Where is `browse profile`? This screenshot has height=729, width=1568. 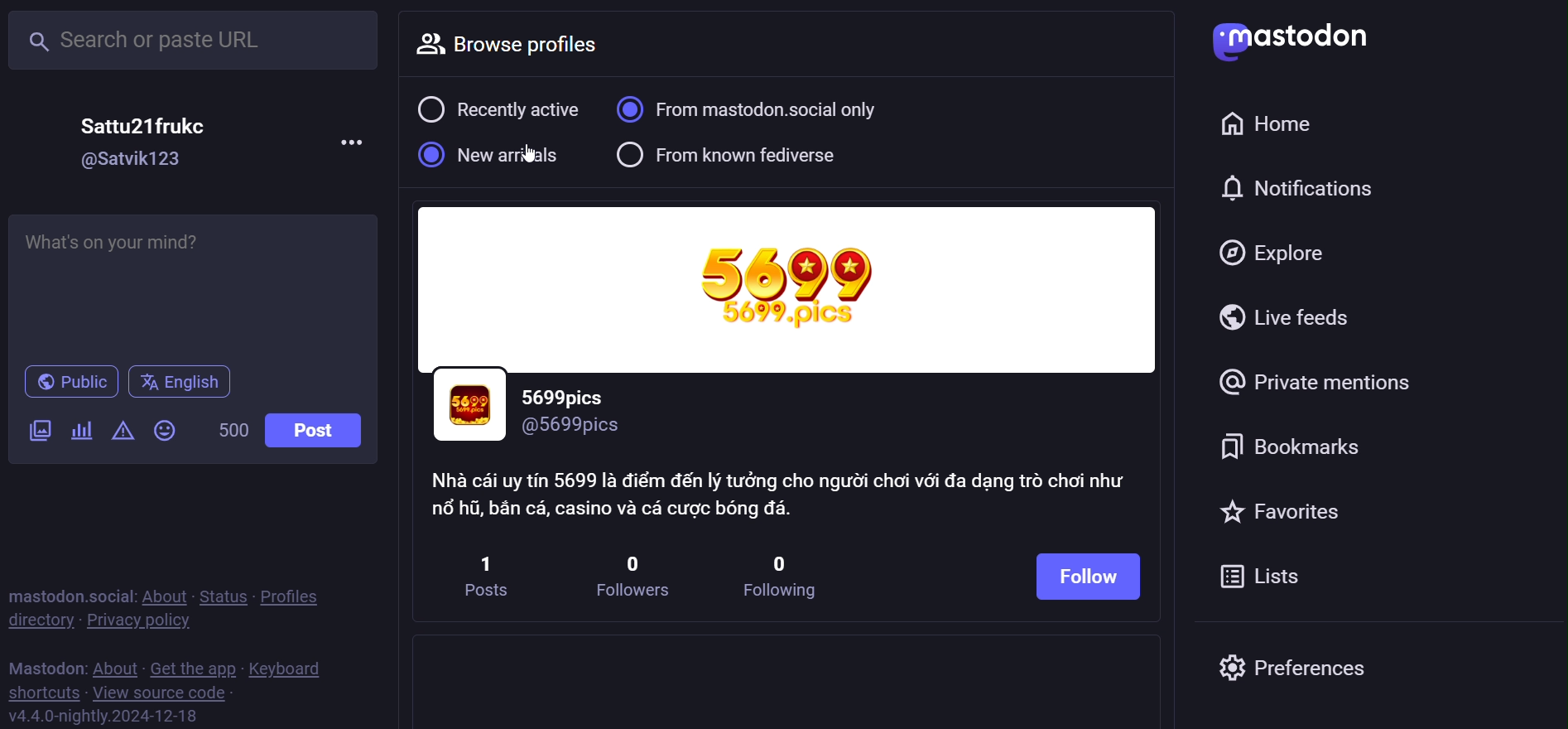
browse profile is located at coordinates (512, 49).